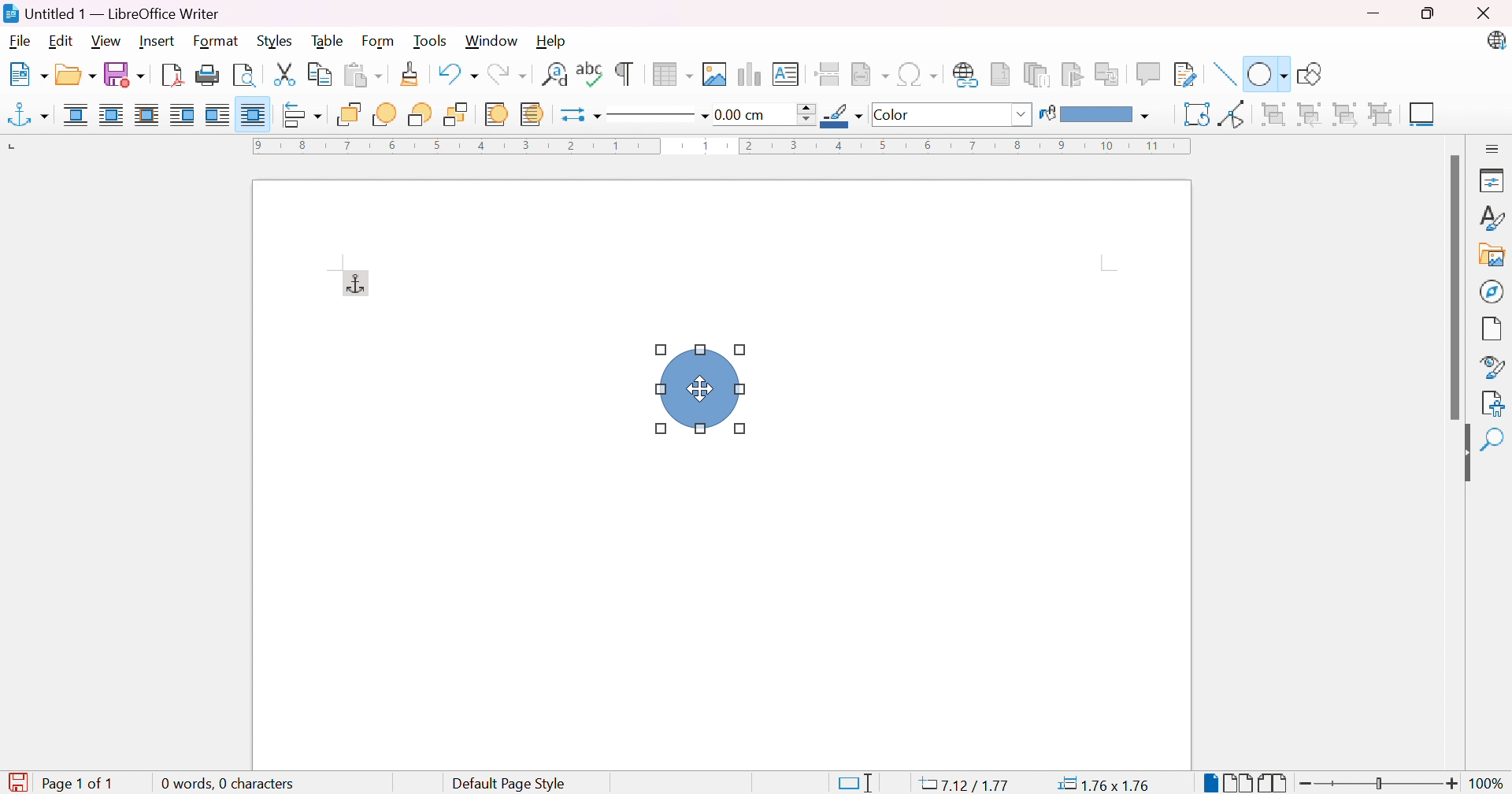 Image resolution: width=1512 pixels, height=794 pixels. I want to click on Standard selection. Click to change selection mode., so click(855, 783).